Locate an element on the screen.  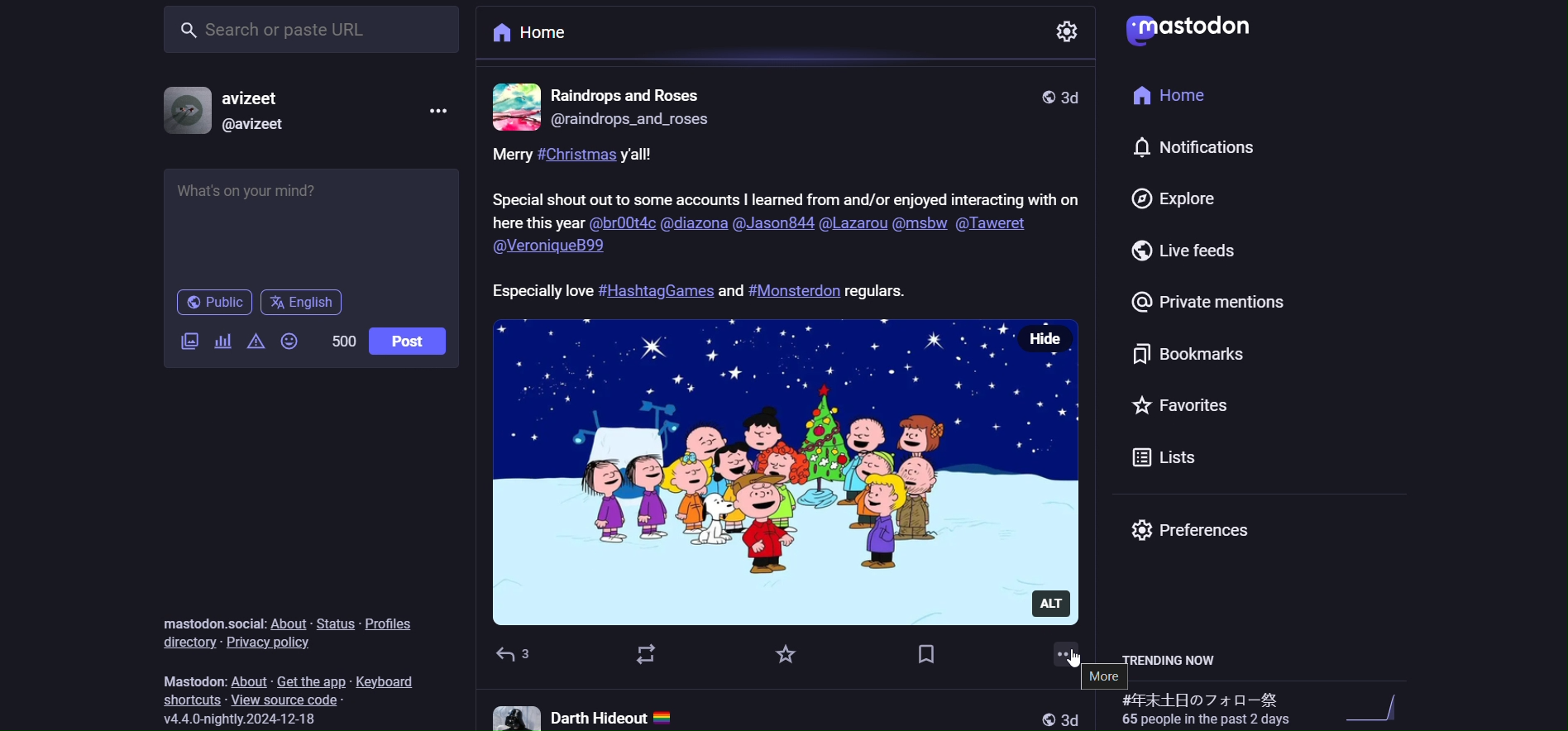
mastodon is located at coordinates (192, 681).